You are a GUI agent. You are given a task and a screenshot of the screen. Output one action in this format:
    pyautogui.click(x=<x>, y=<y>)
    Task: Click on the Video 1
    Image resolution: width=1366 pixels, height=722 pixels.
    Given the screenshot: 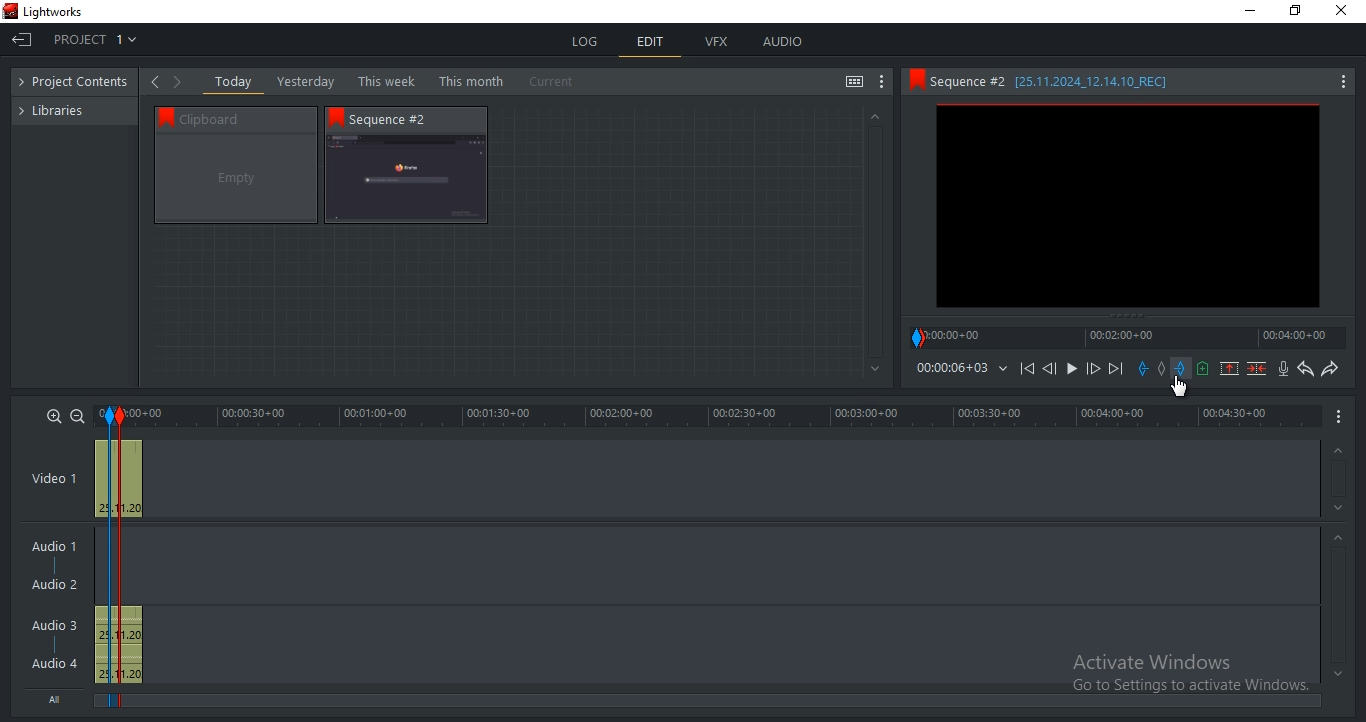 What is the action you would take?
    pyautogui.click(x=54, y=480)
    